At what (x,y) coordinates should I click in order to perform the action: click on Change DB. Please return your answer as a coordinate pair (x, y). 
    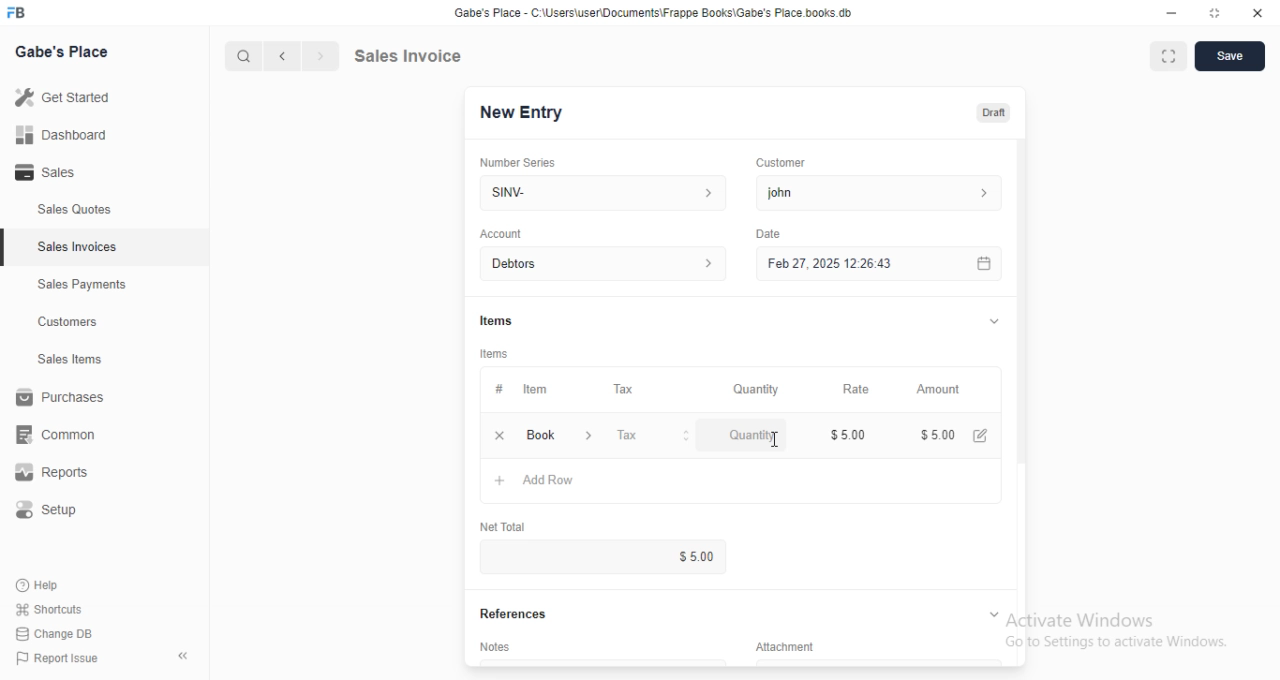
    Looking at the image, I should click on (57, 634).